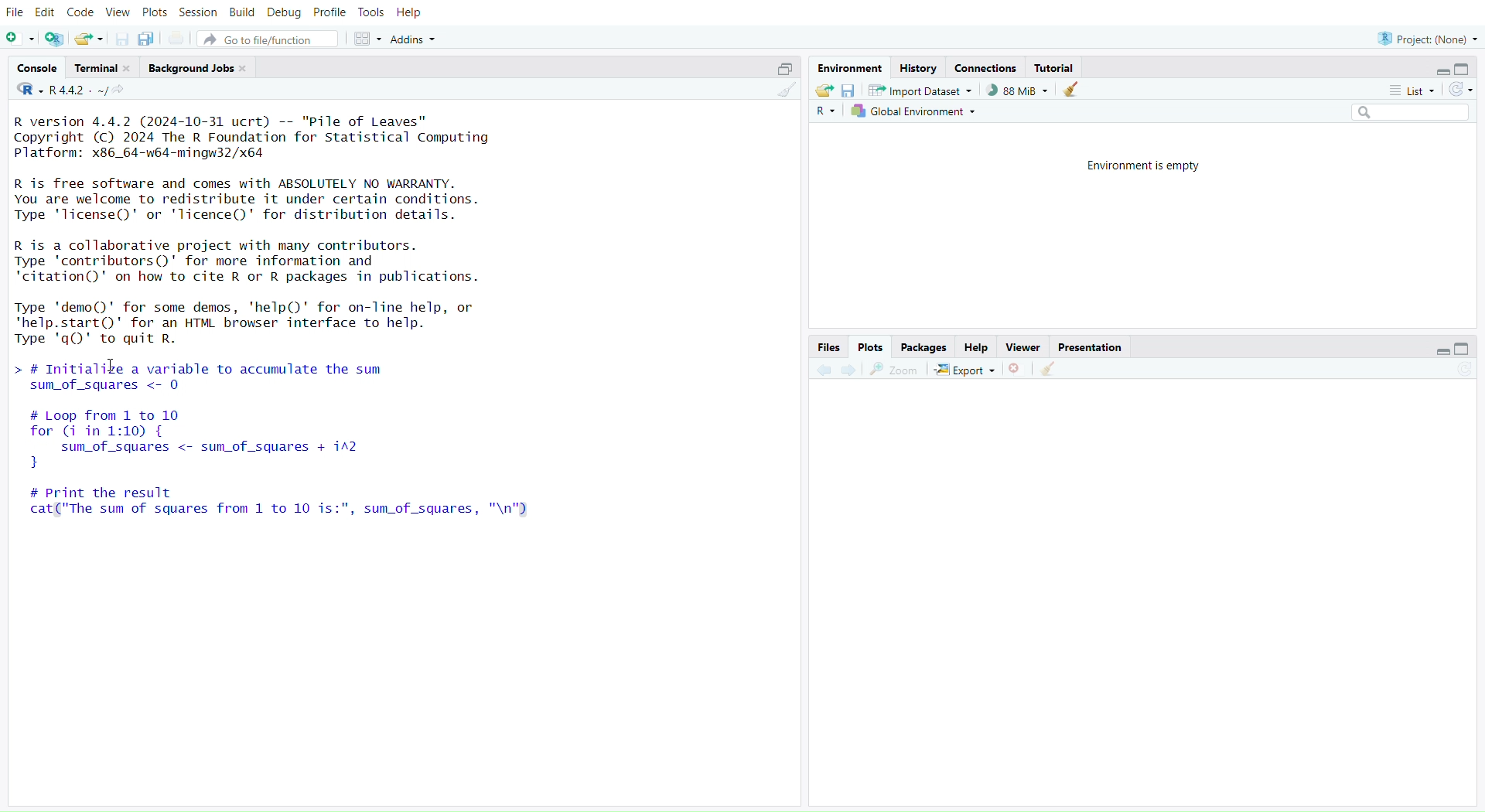 The width and height of the screenshot is (1485, 812). Describe the element at coordinates (295, 510) in the screenshot. I see `cat( The sum oT squares Trom 1 to 10 1s:”, sum_oT_squares, "\n")` at that location.